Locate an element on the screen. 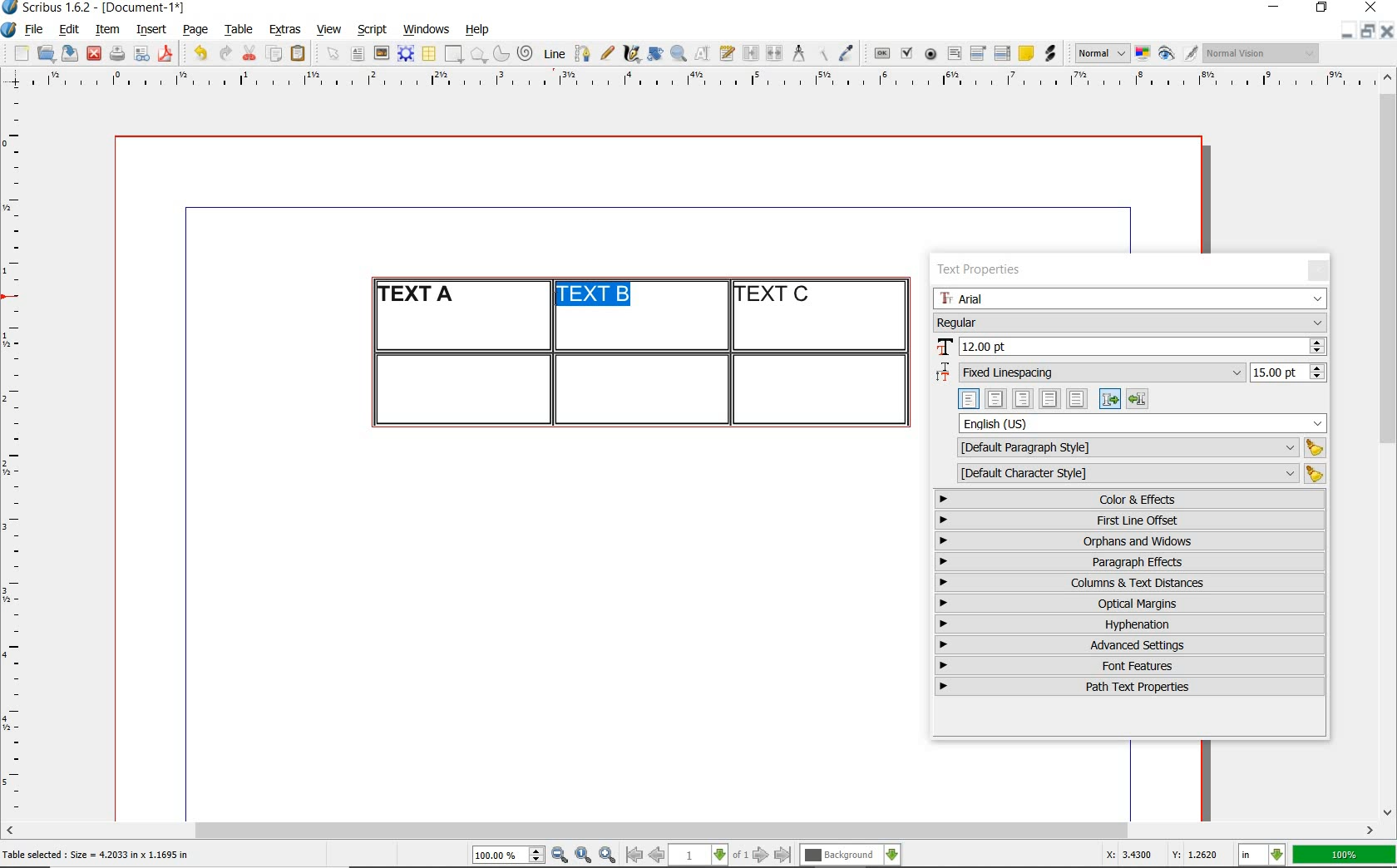 The image size is (1397, 868). pdf radio button is located at coordinates (931, 56).